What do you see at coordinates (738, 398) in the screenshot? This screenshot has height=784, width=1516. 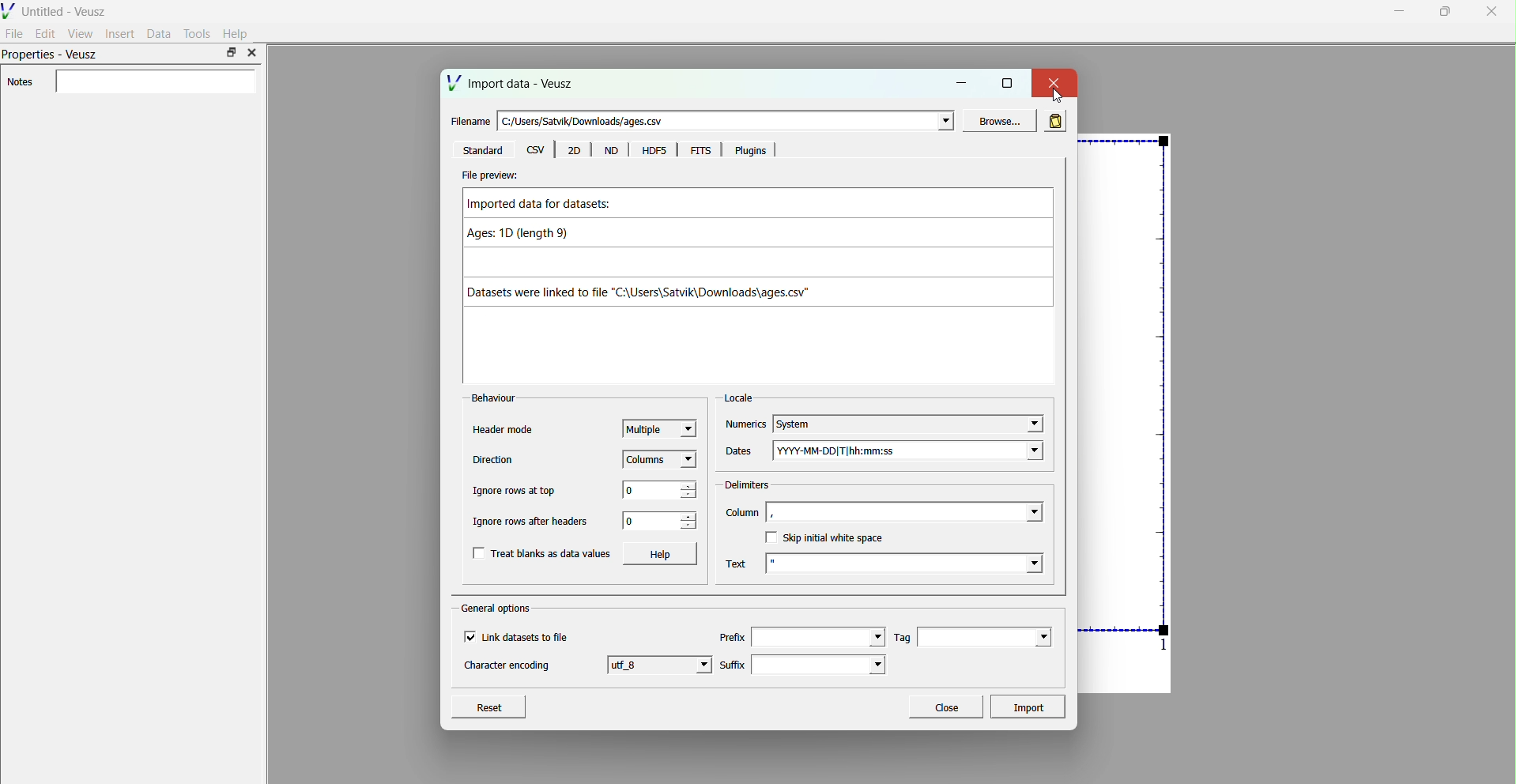 I see `Locale` at bounding box center [738, 398].